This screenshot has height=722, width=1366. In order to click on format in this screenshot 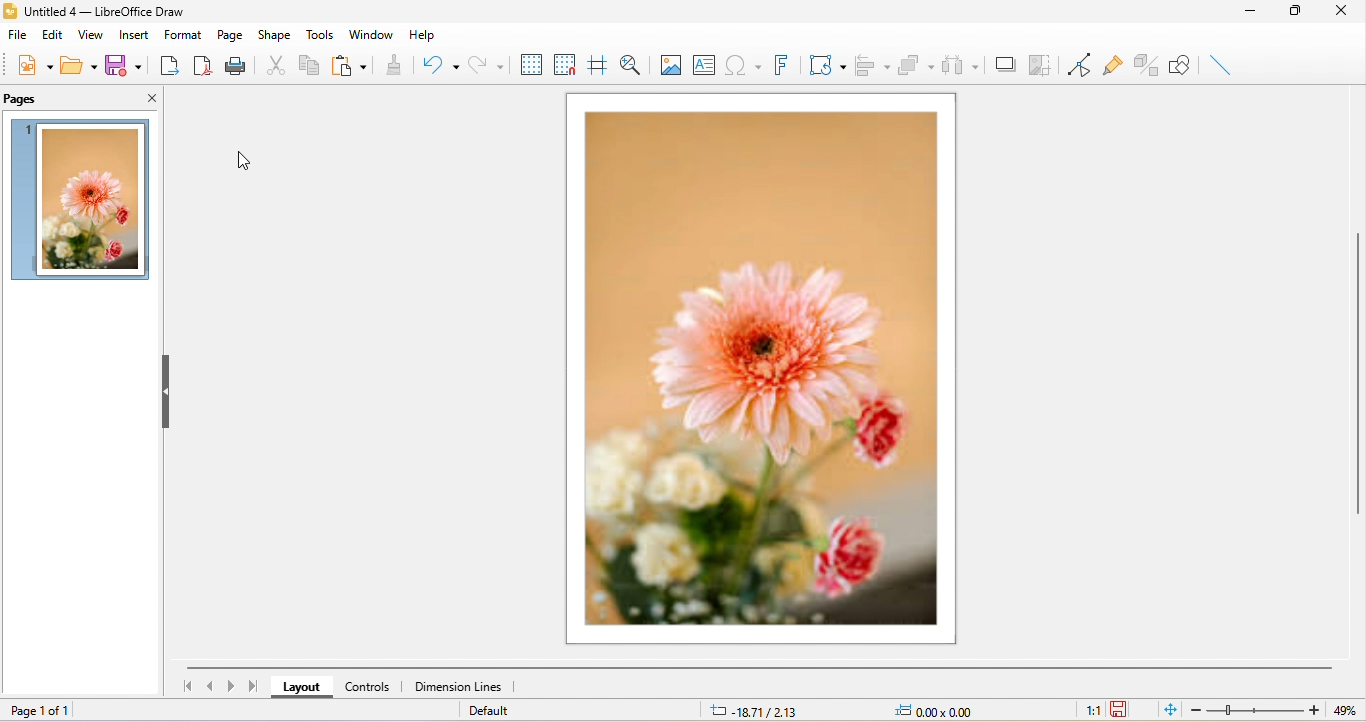, I will do `click(182, 34)`.